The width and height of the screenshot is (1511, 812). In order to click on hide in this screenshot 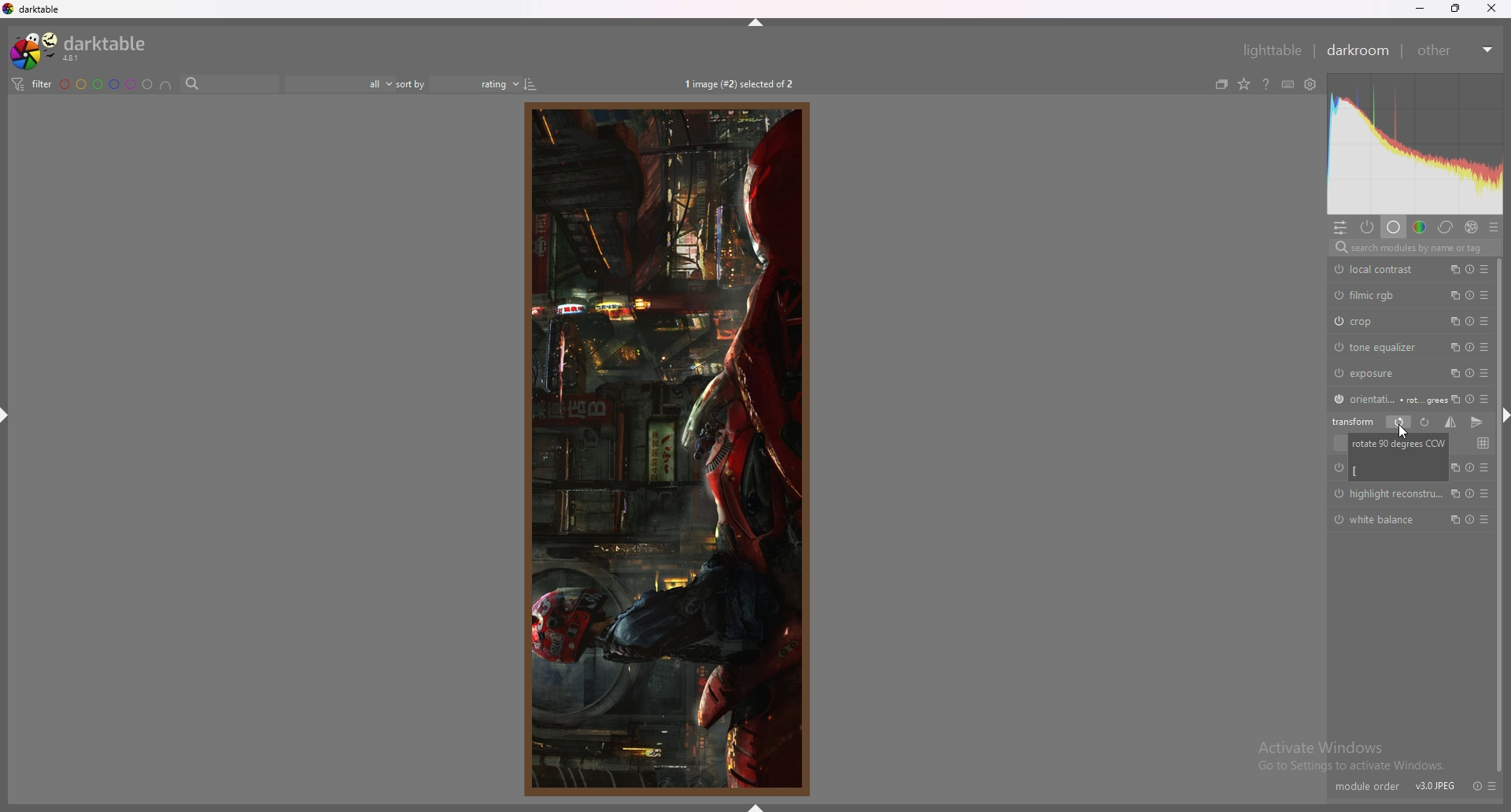, I will do `click(755, 806)`.